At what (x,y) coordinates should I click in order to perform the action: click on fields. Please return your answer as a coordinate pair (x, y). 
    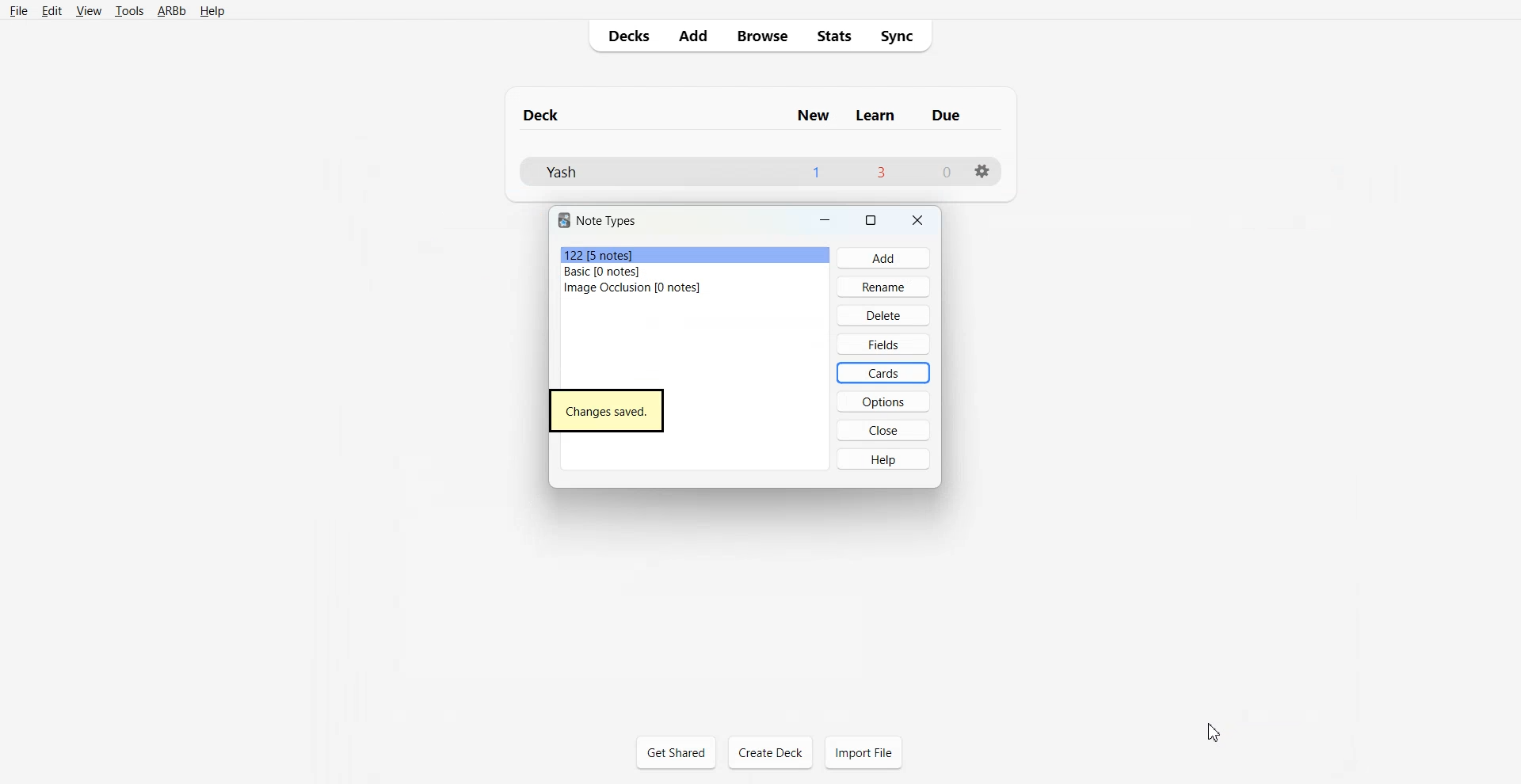
    Looking at the image, I should click on (883, 342).